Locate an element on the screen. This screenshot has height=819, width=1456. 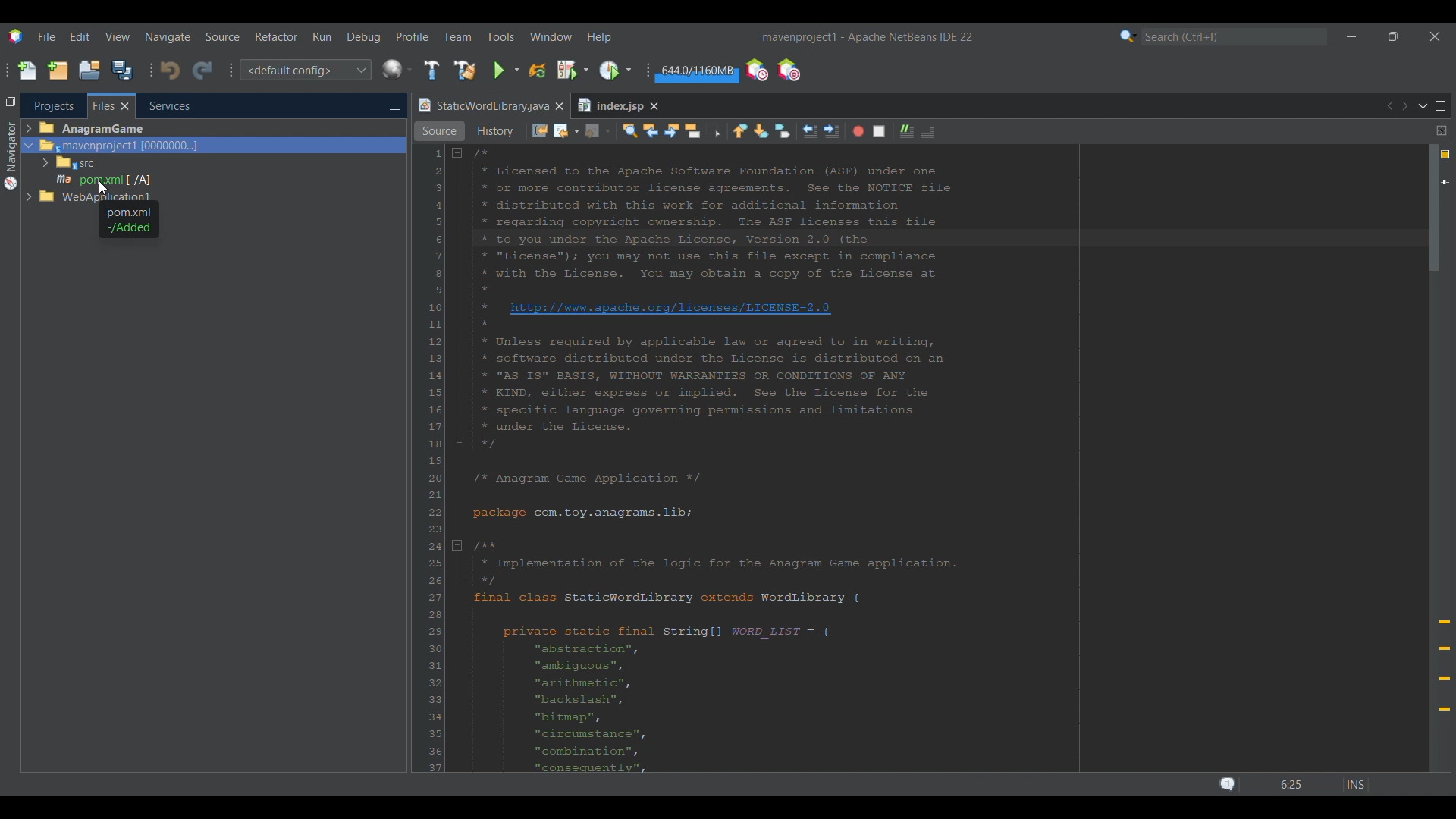
Vertical slide bar is located at coordinates (1434, 457).